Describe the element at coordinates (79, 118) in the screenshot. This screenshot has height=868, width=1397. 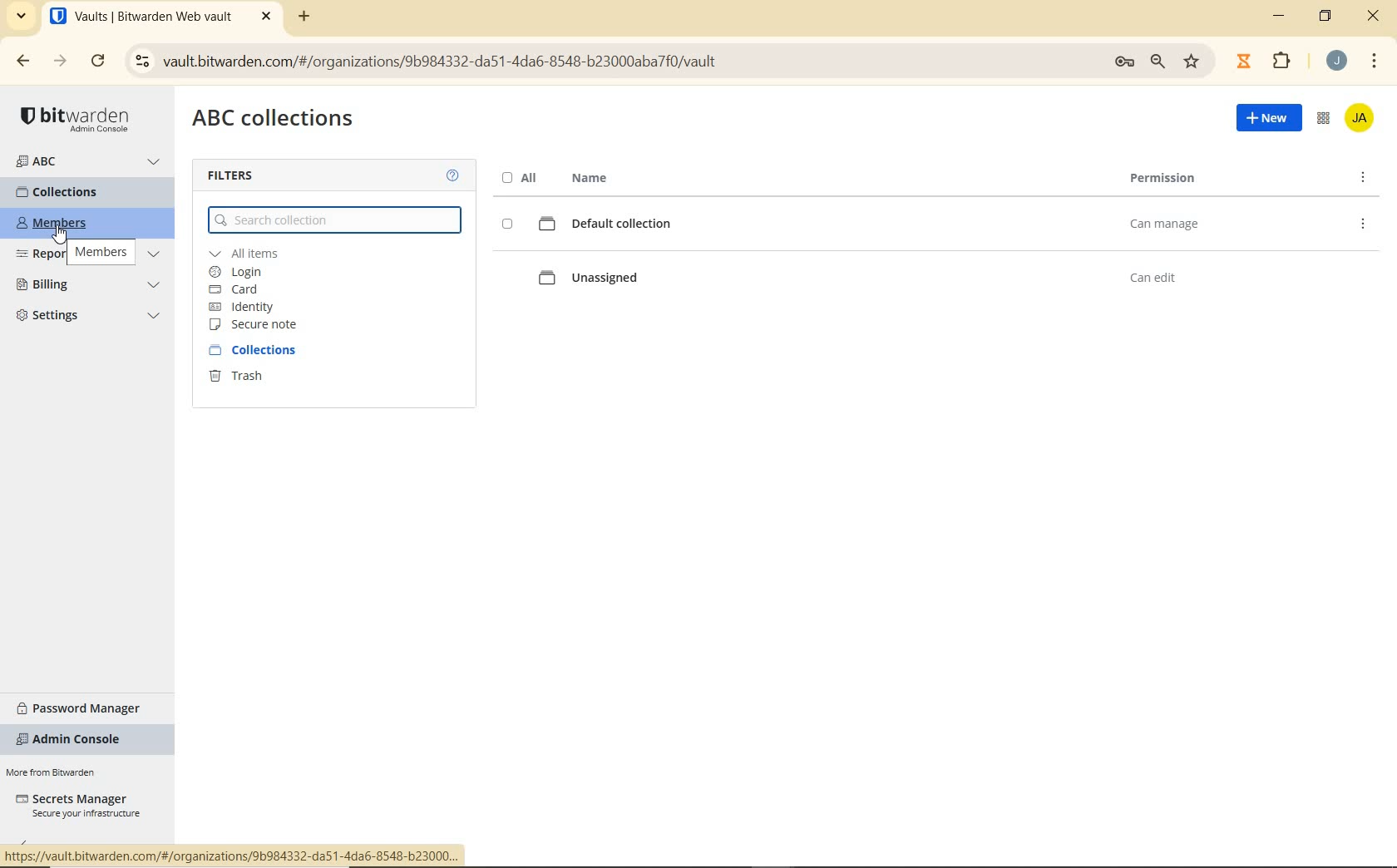
I see `LOGO` at that location.